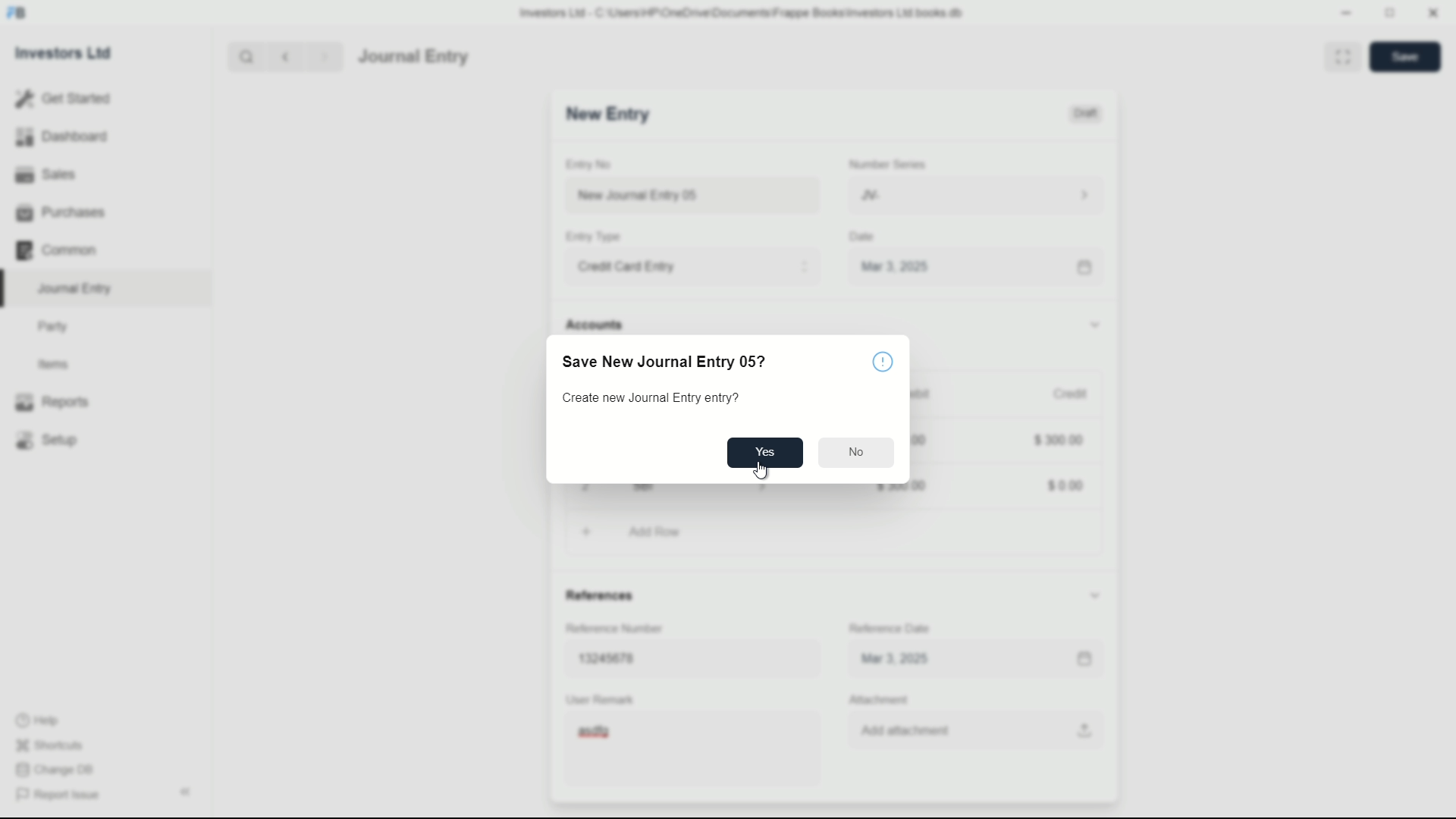 The width and height of the screenshot is (1456, 819). Describe the element at coordinates (657, 398) in the screenshot. I see `Create new Journal Entry entry?` at that location.